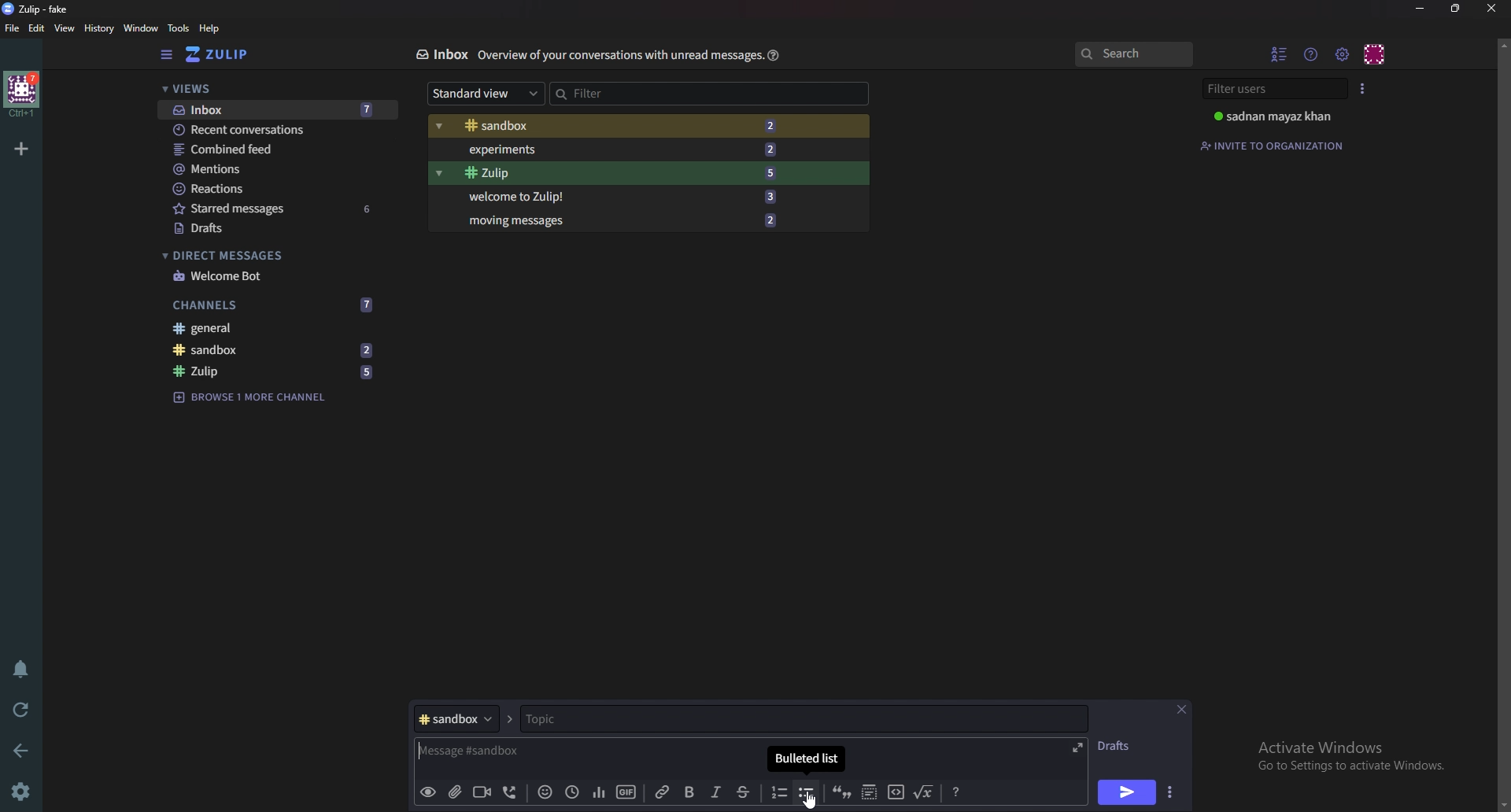 This screenshot has height=812, width=1511. I want to click on Info, so click(620, 54).